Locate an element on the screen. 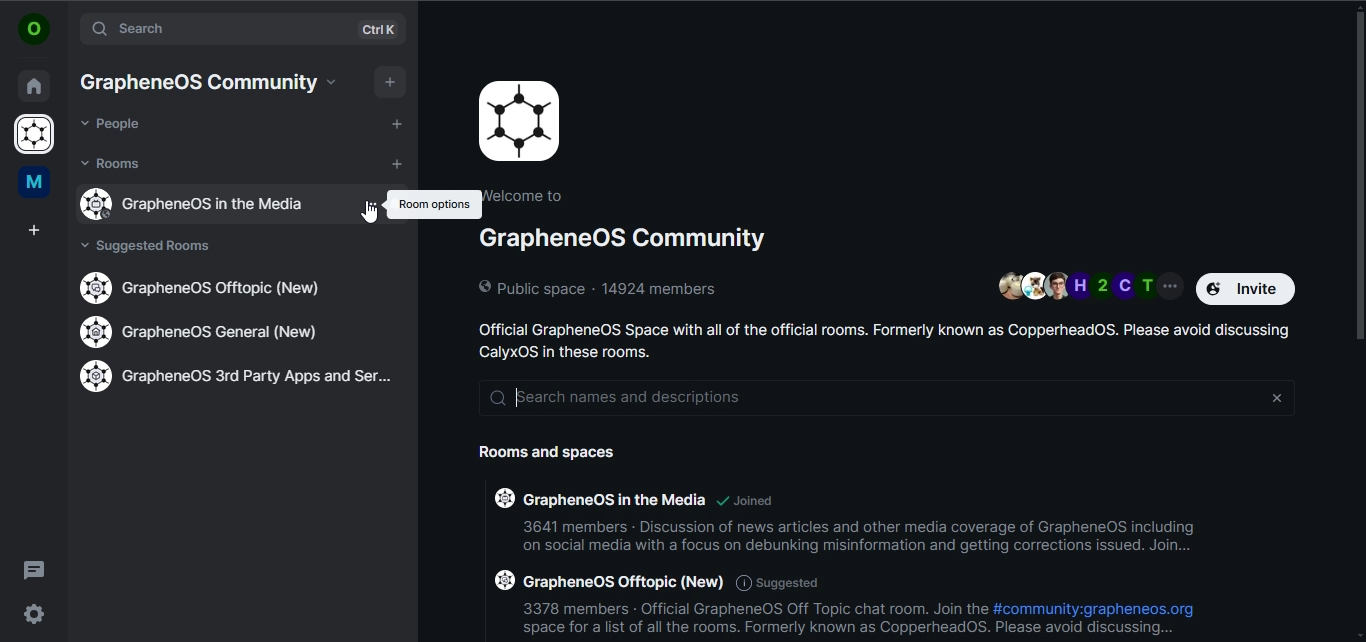 Image resolution: width=1366 pixels, height=642 pixels. view all members is located at coordinates (1089, 285).